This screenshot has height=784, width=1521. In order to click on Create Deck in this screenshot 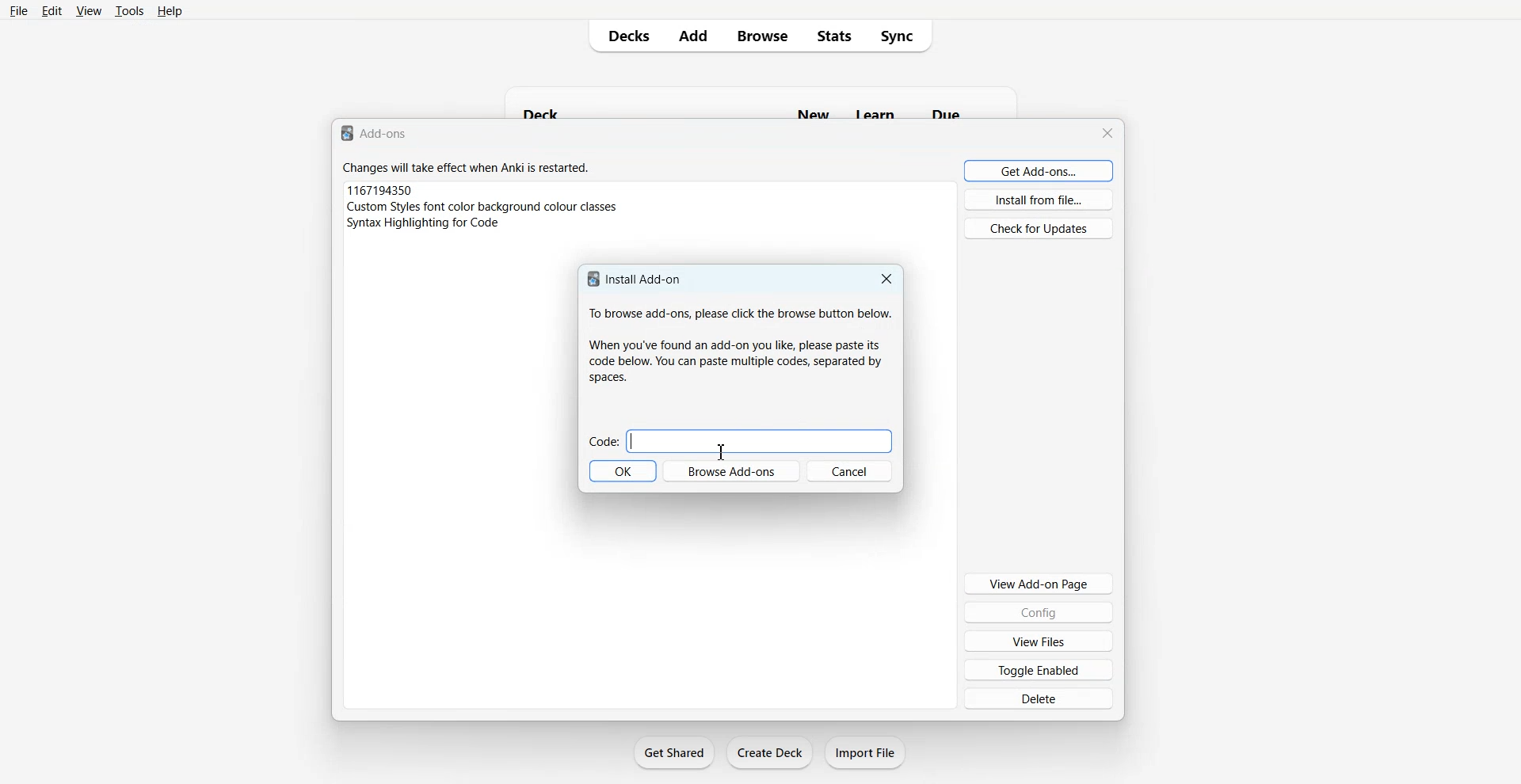, I will do `click(769, 752)`.